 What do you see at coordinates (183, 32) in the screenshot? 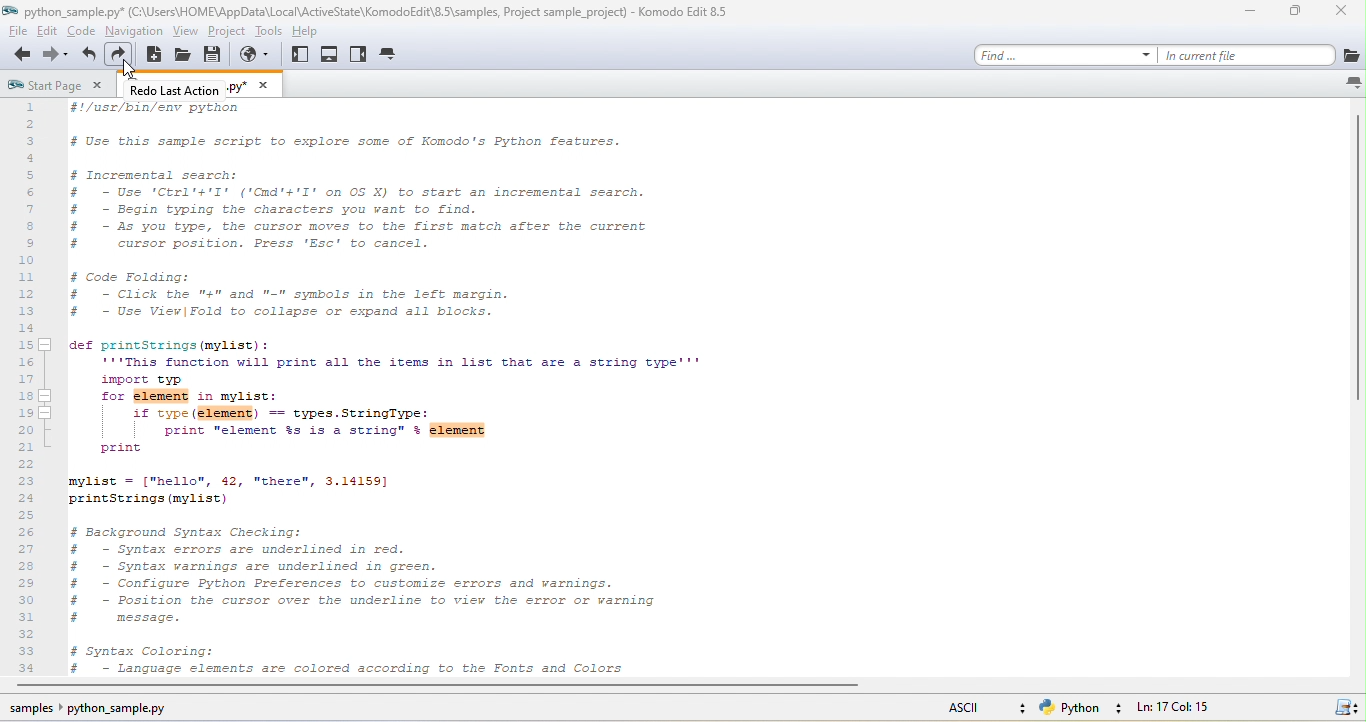
I see `view` at bounding box center [183, 32].